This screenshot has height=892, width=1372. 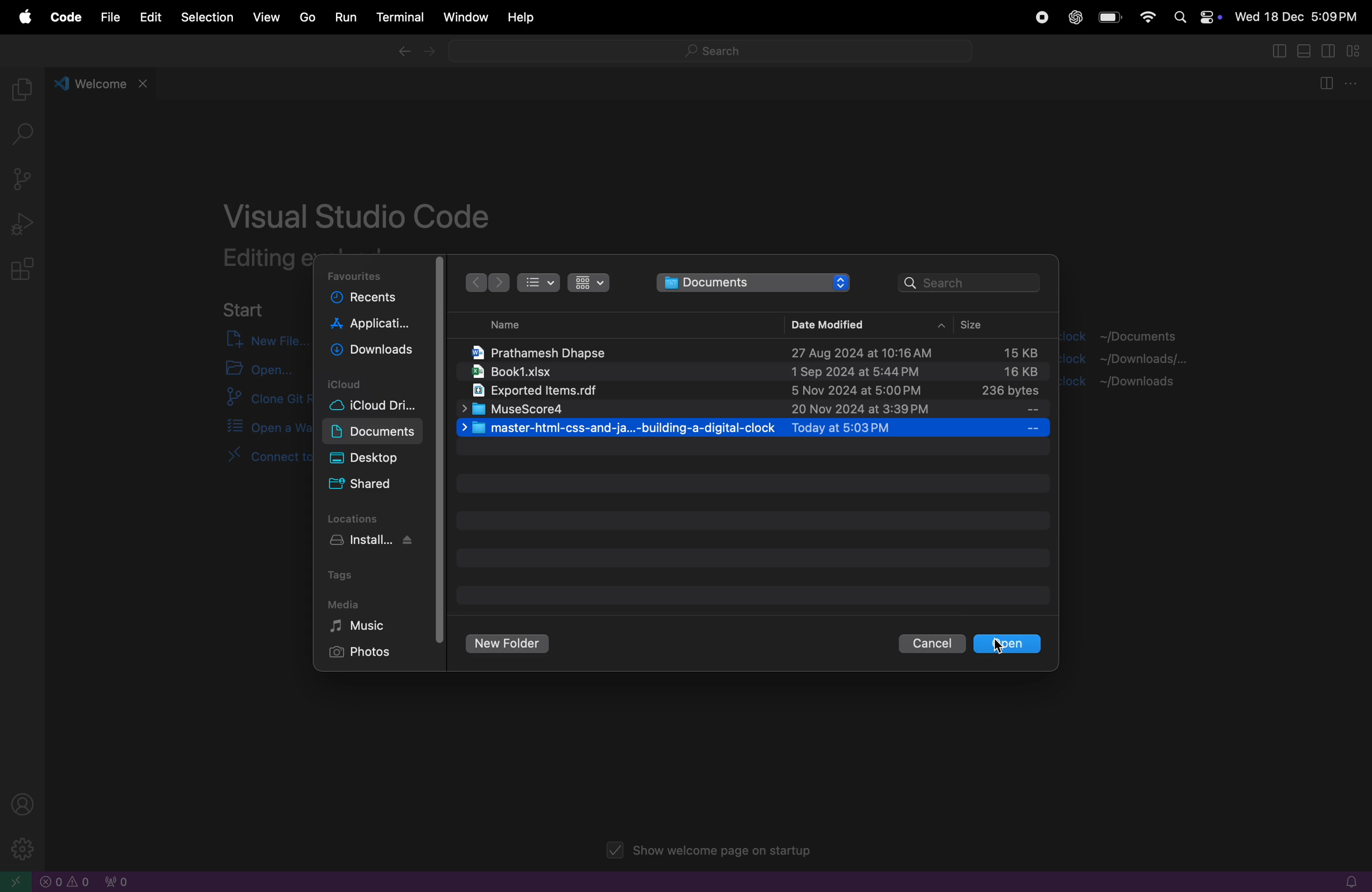 I want to click on backward, so click(x=402, y=53).